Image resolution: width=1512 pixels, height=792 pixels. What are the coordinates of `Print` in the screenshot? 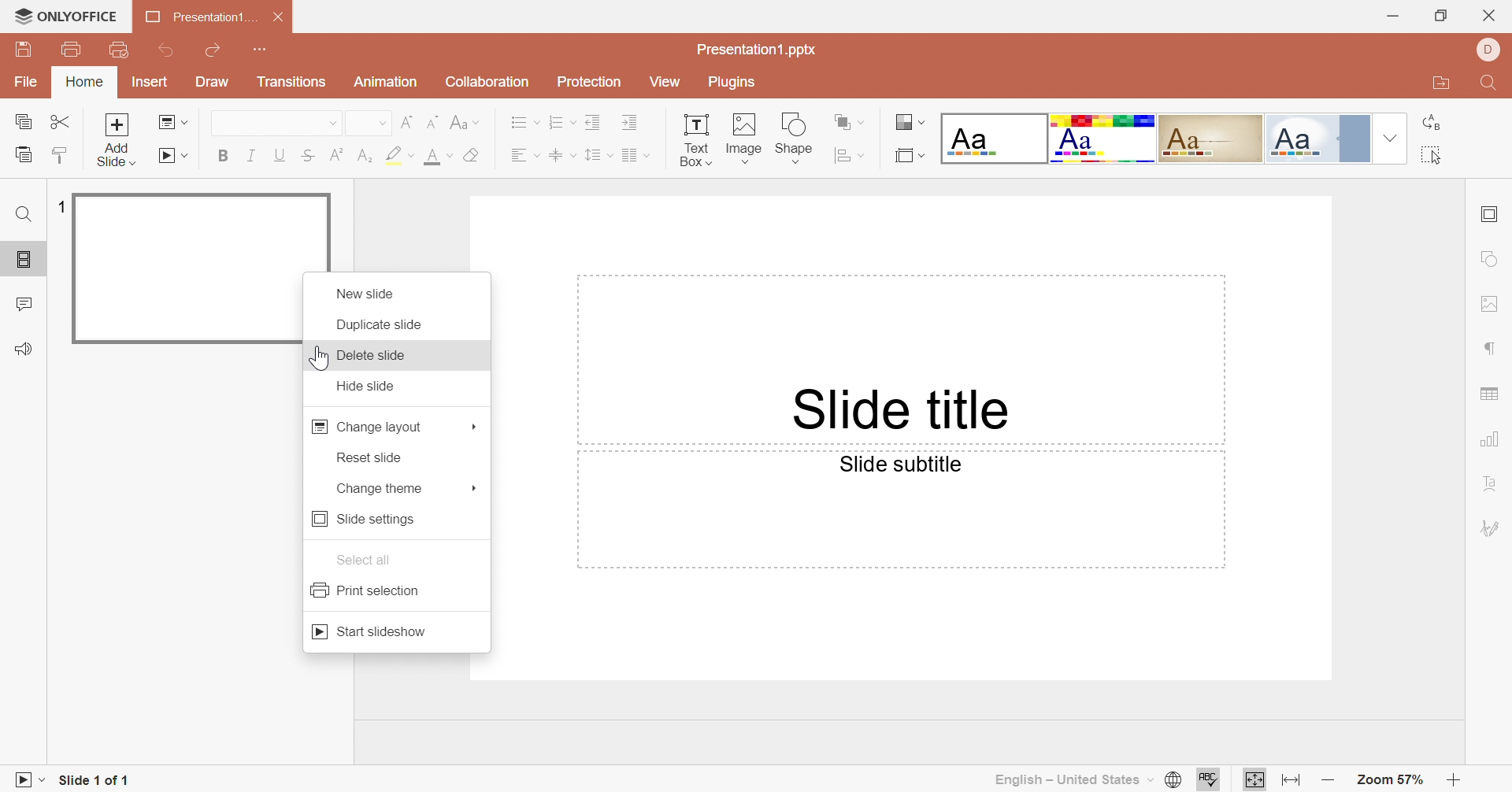 It's located at (69, 47).